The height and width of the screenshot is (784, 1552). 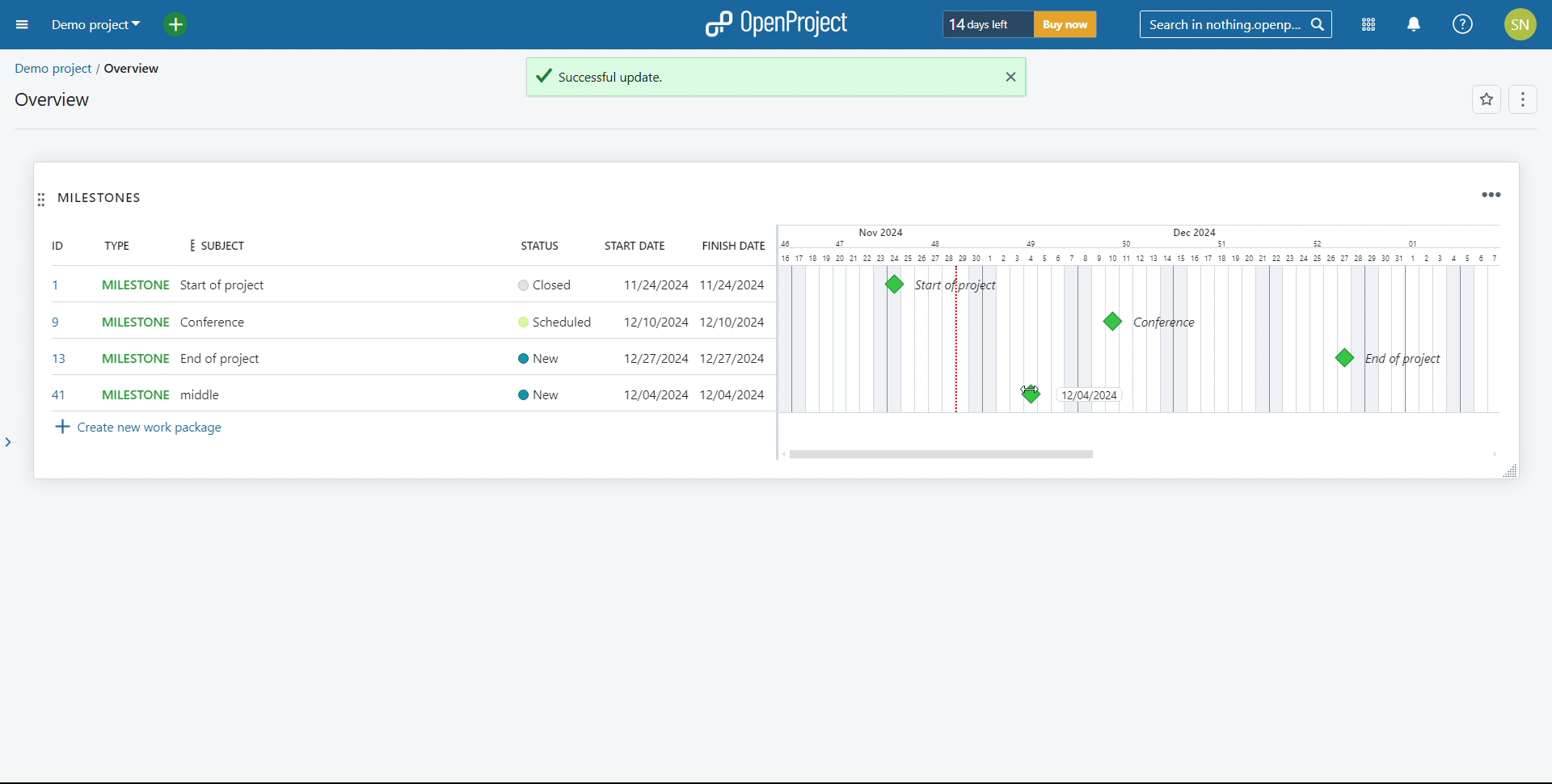 I want to click on widget options, so click(x=1491, y=196).